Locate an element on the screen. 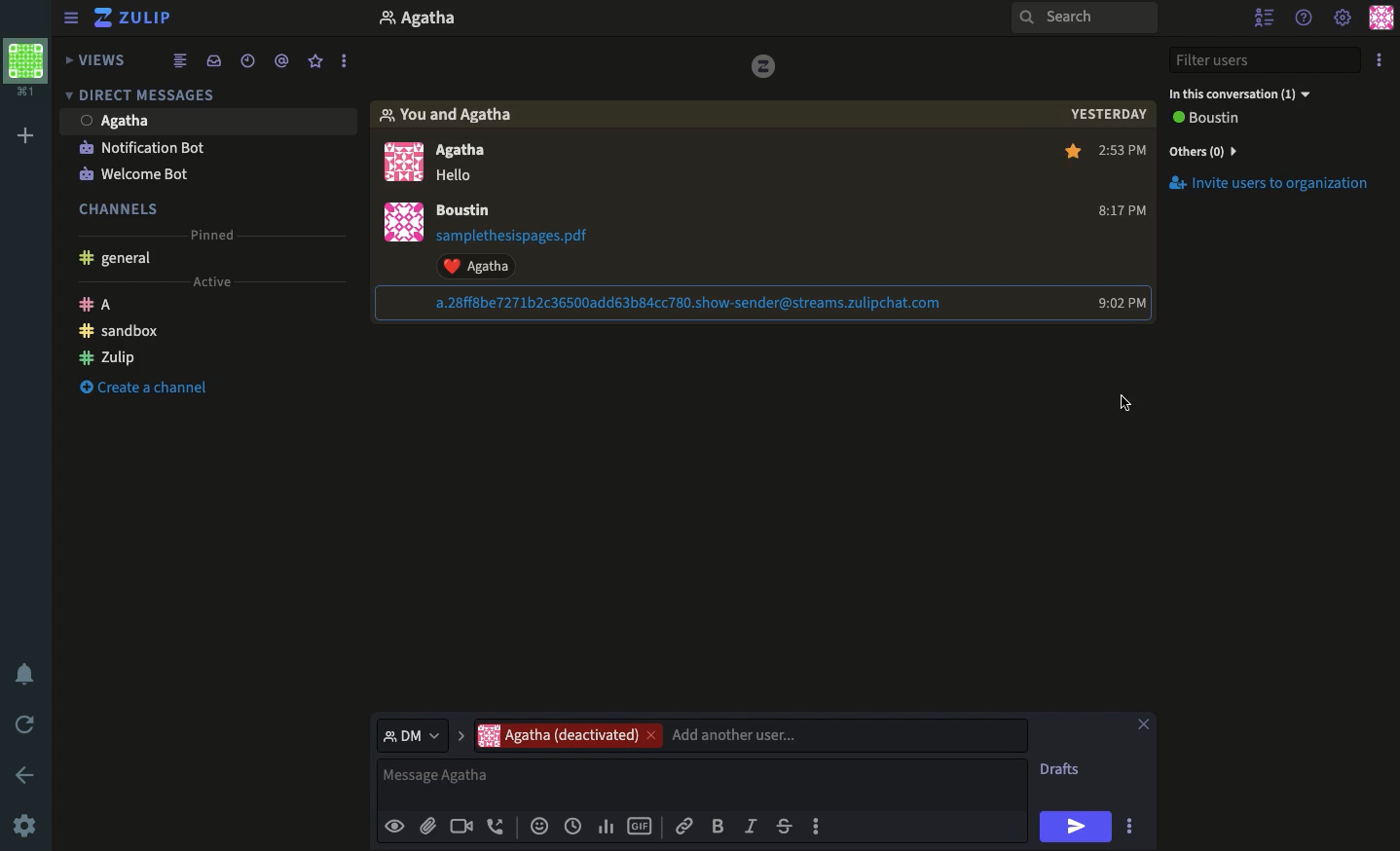  Help is located at coordinates (1308, 19).